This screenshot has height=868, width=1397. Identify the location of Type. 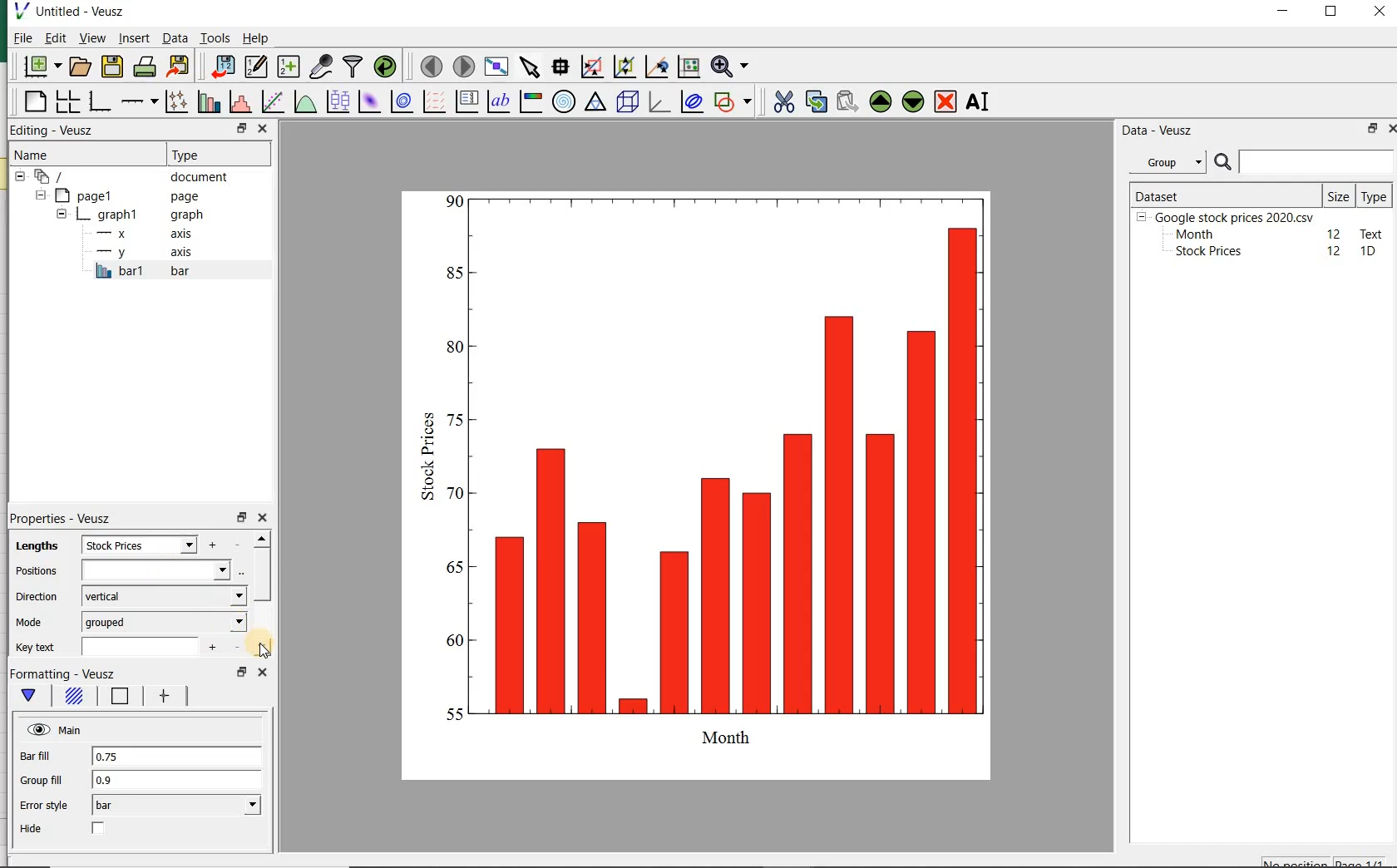
(1374, 195).